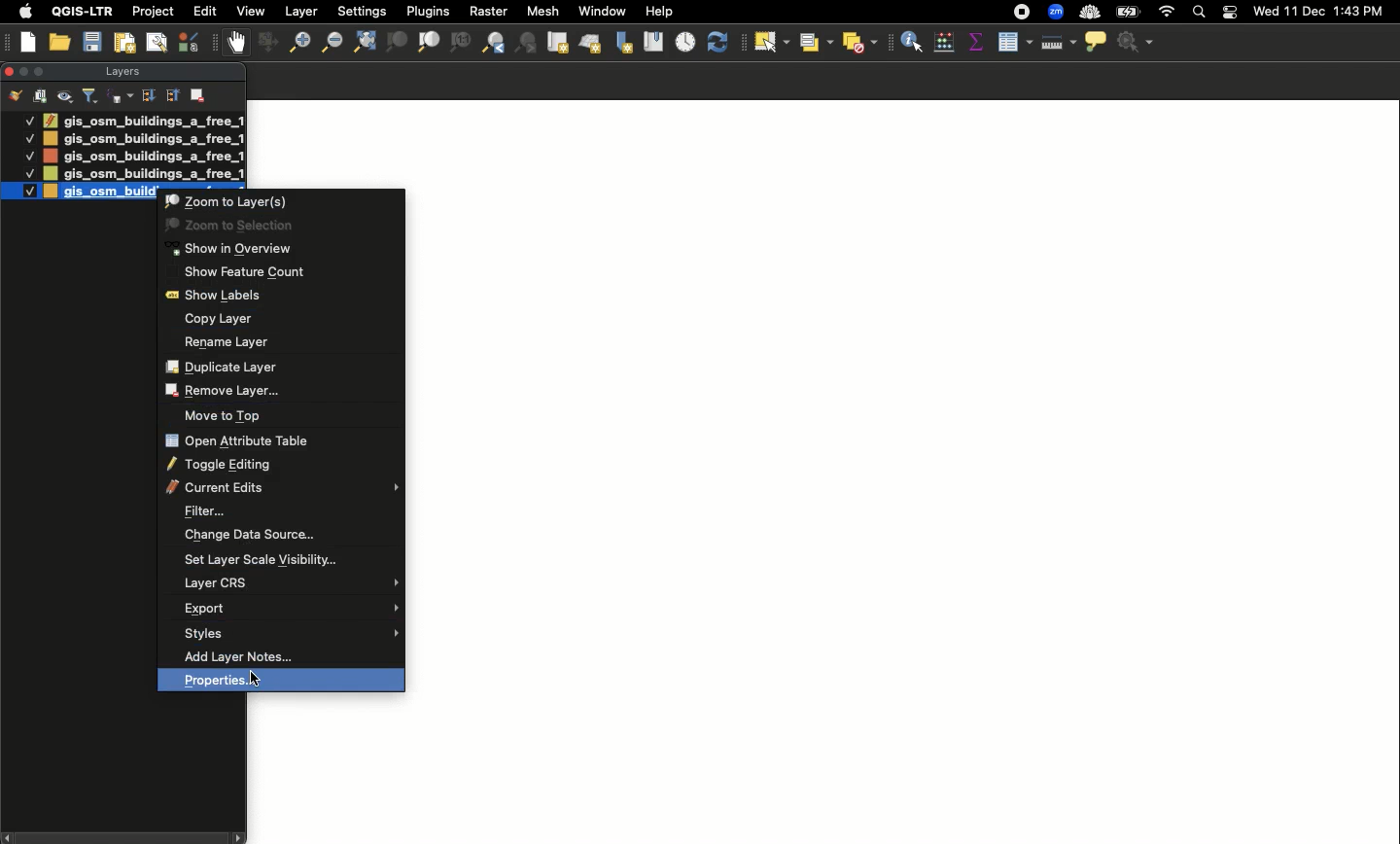 Image resolution: width=1400 pixels, height=844 pixels. Describe the element at coordinates (293, 583) in the screenshot. I see `Layer CRS` at that location.